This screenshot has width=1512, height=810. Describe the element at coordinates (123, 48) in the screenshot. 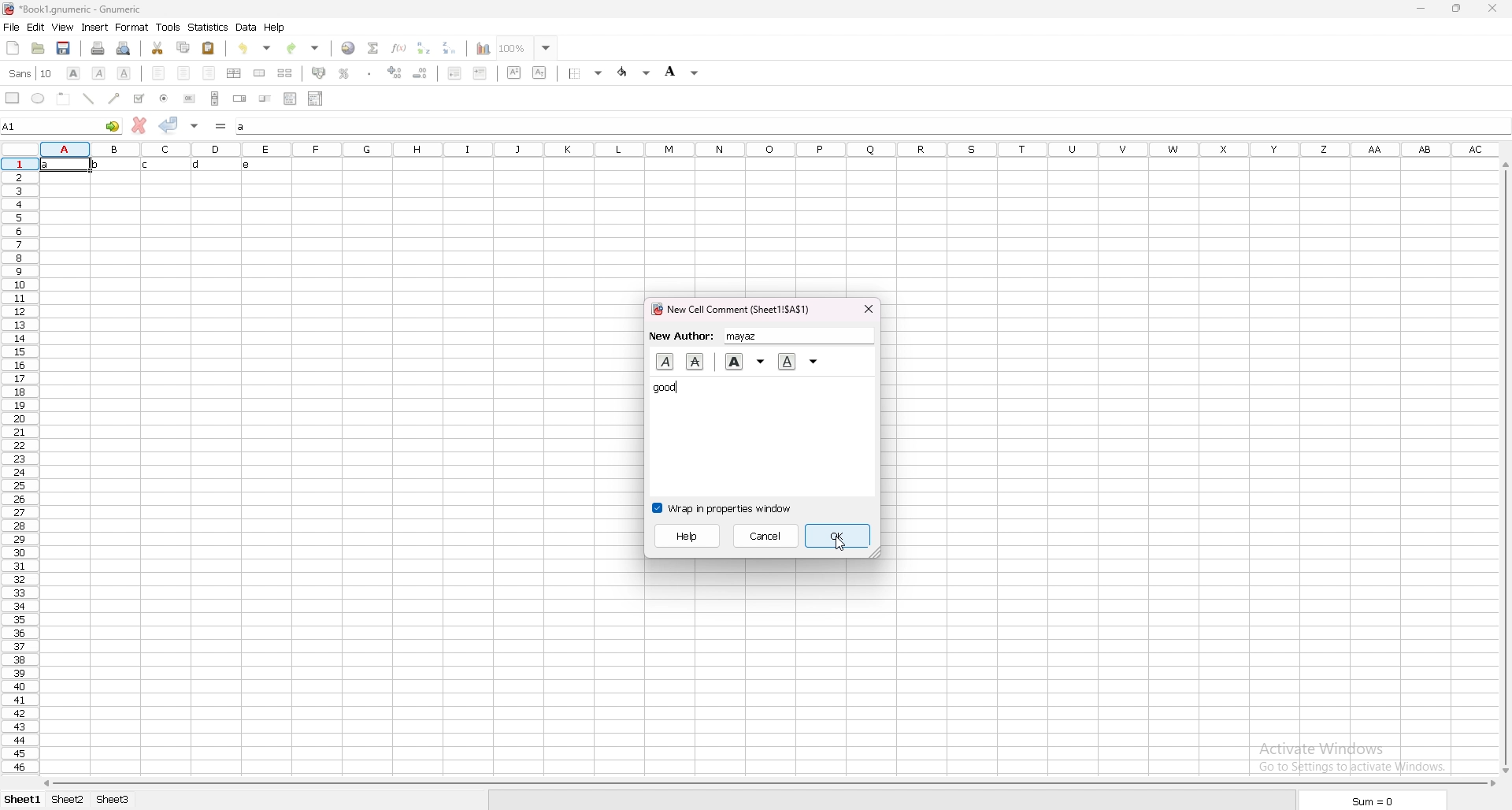

I see `print preview` at that location.